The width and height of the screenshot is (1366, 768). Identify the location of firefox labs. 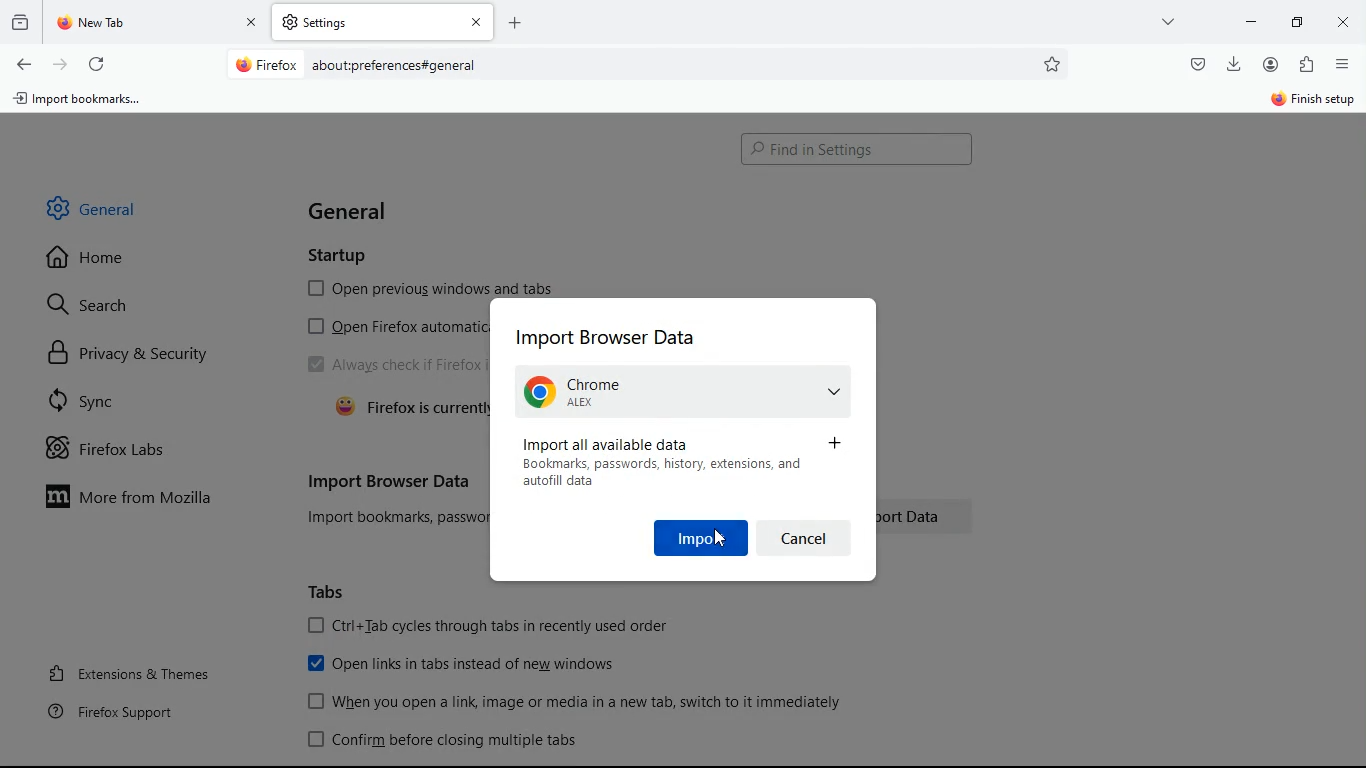
(125, 448).